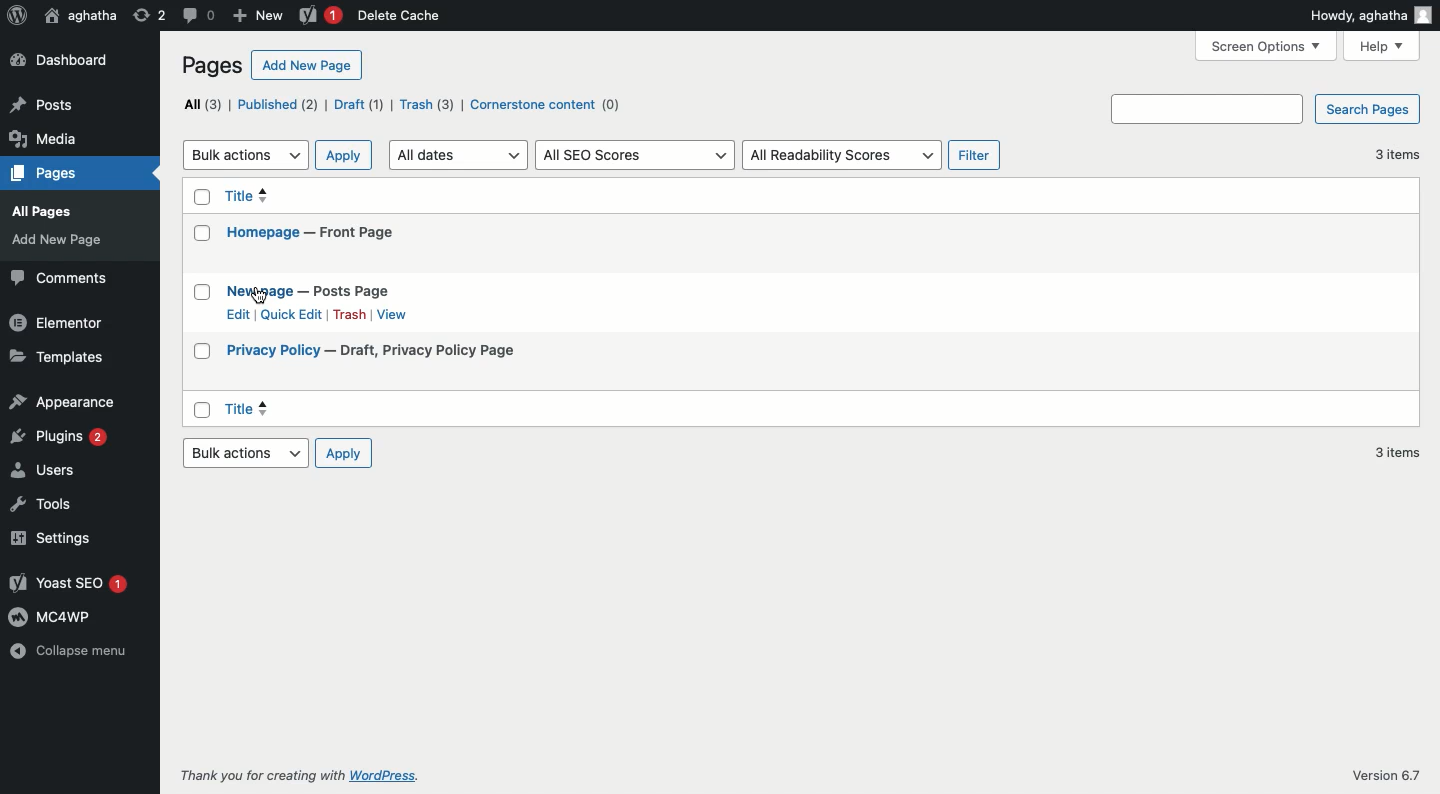 Image resolution: width=1440 pixels, height=794 pixels. Describe the element at coordinates (64, 615) in the screenshot. I see `MC4WP` at that location.